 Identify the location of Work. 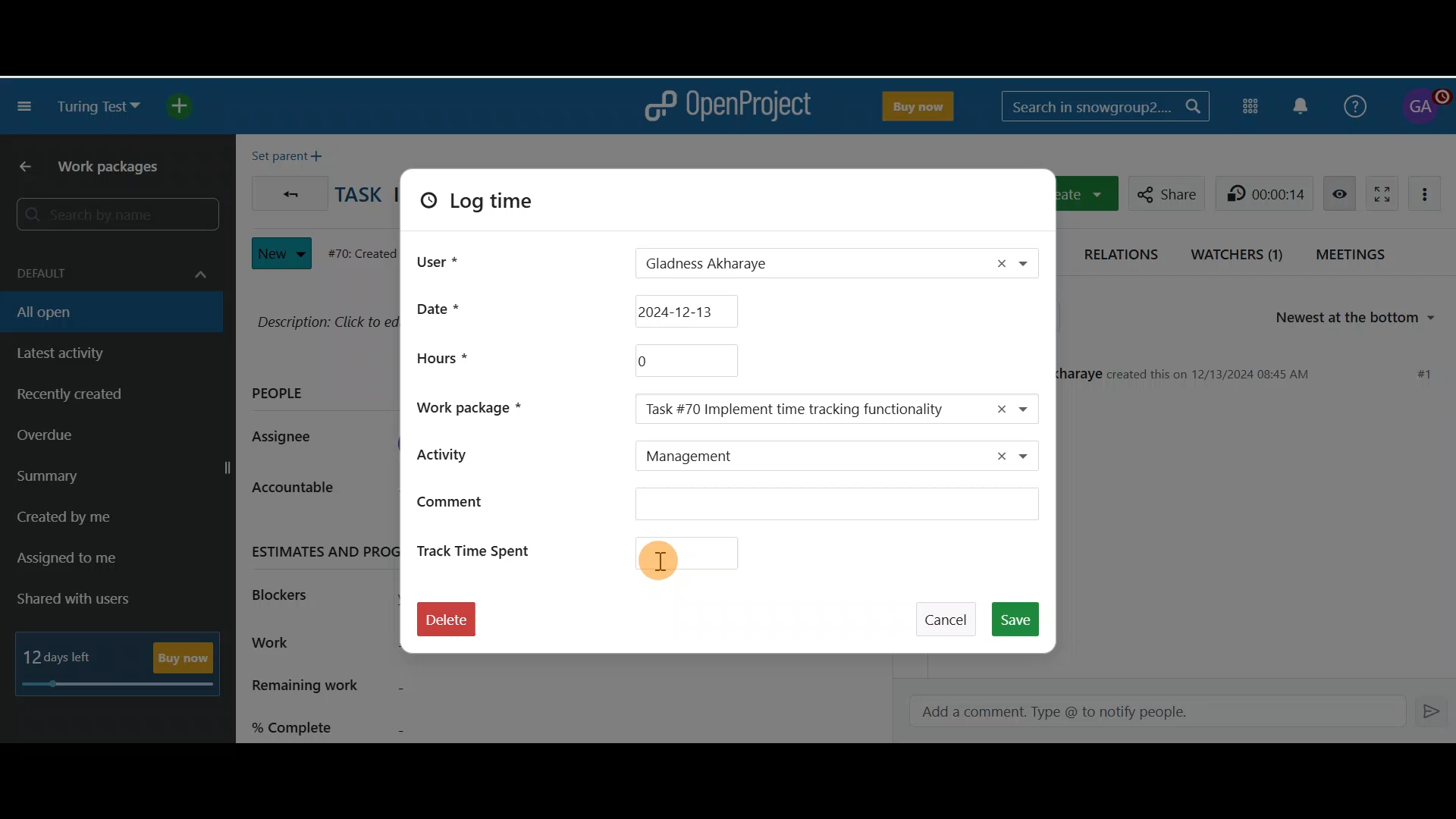
(315, 645).